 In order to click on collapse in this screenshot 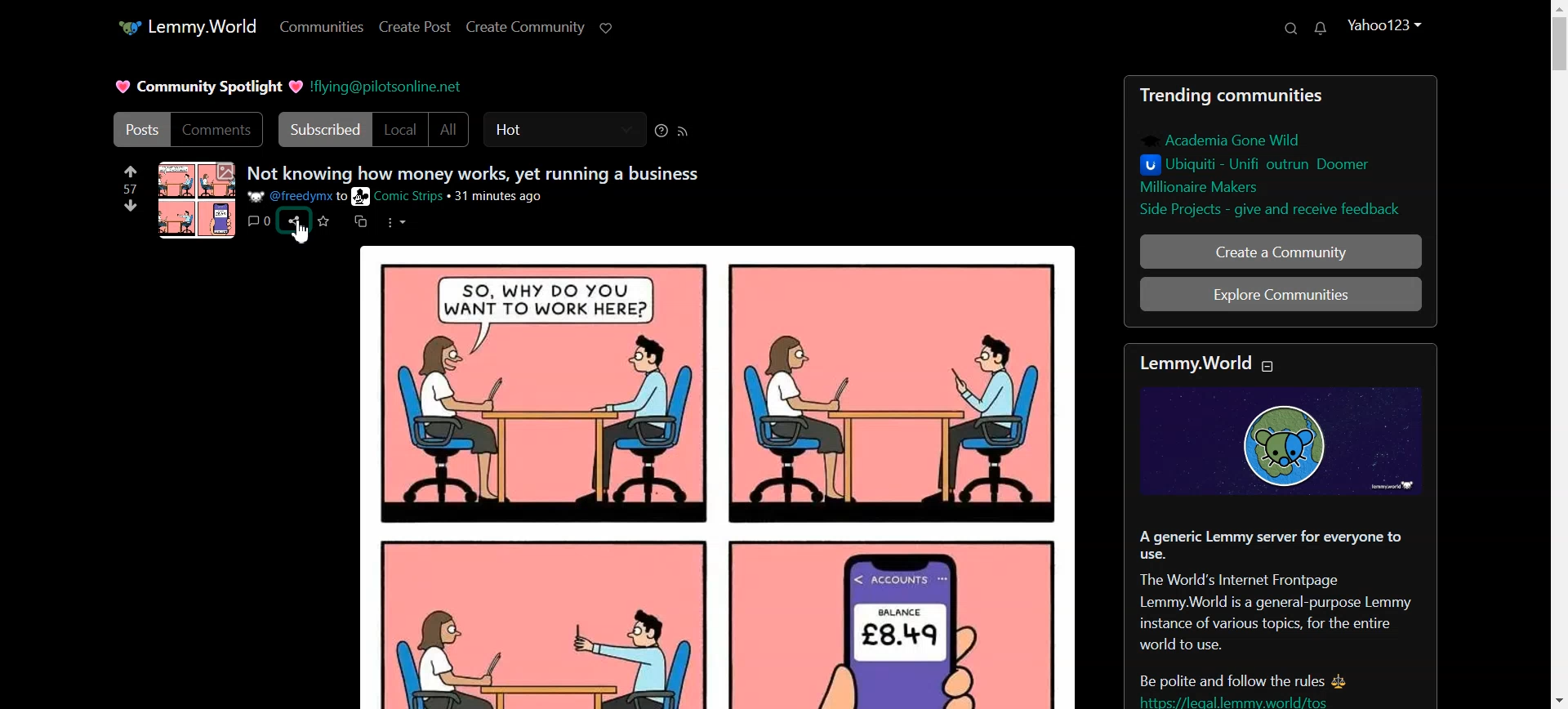, I will do `click(1274, 366)`.